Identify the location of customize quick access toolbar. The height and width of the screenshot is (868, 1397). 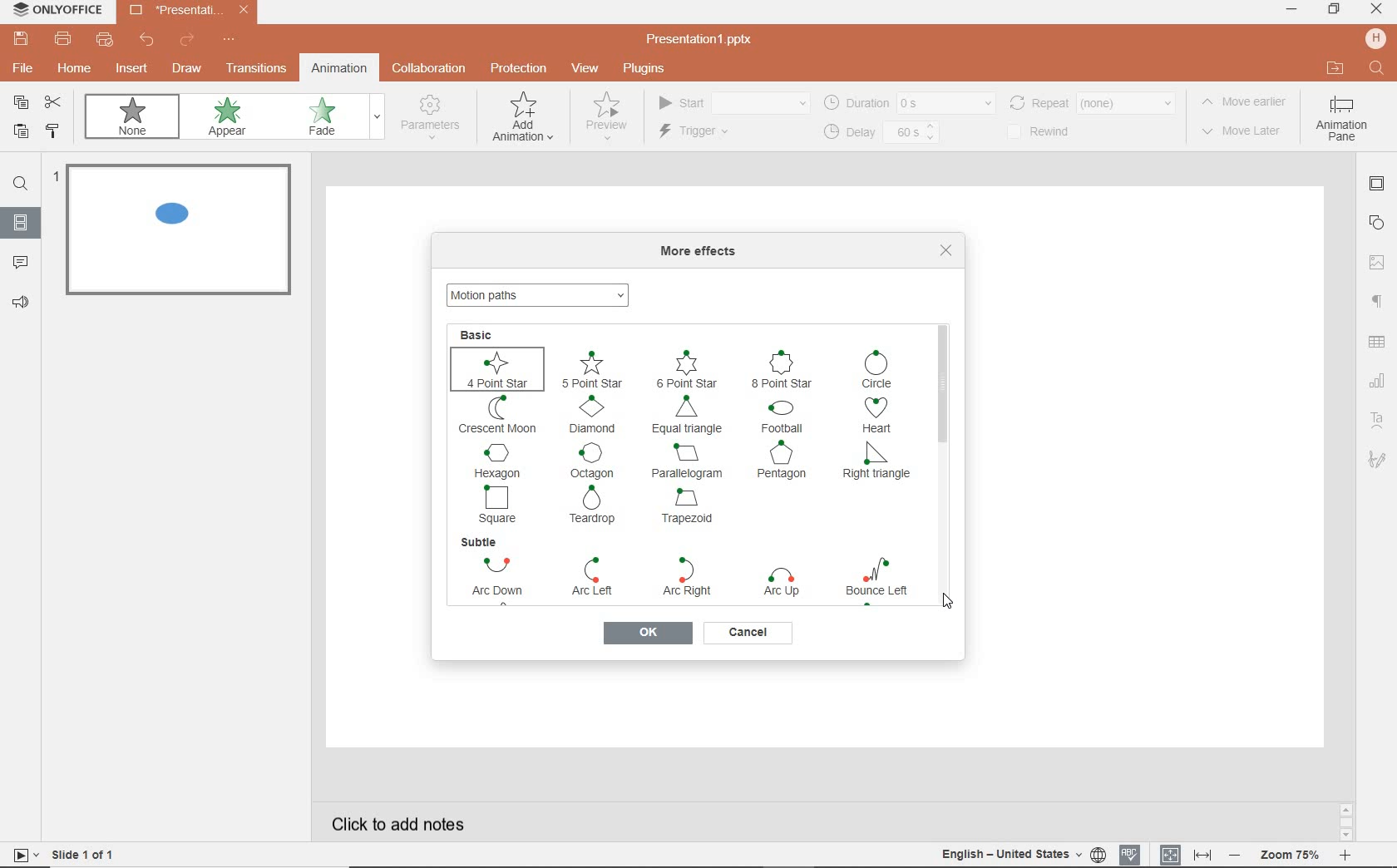
(230, 41).